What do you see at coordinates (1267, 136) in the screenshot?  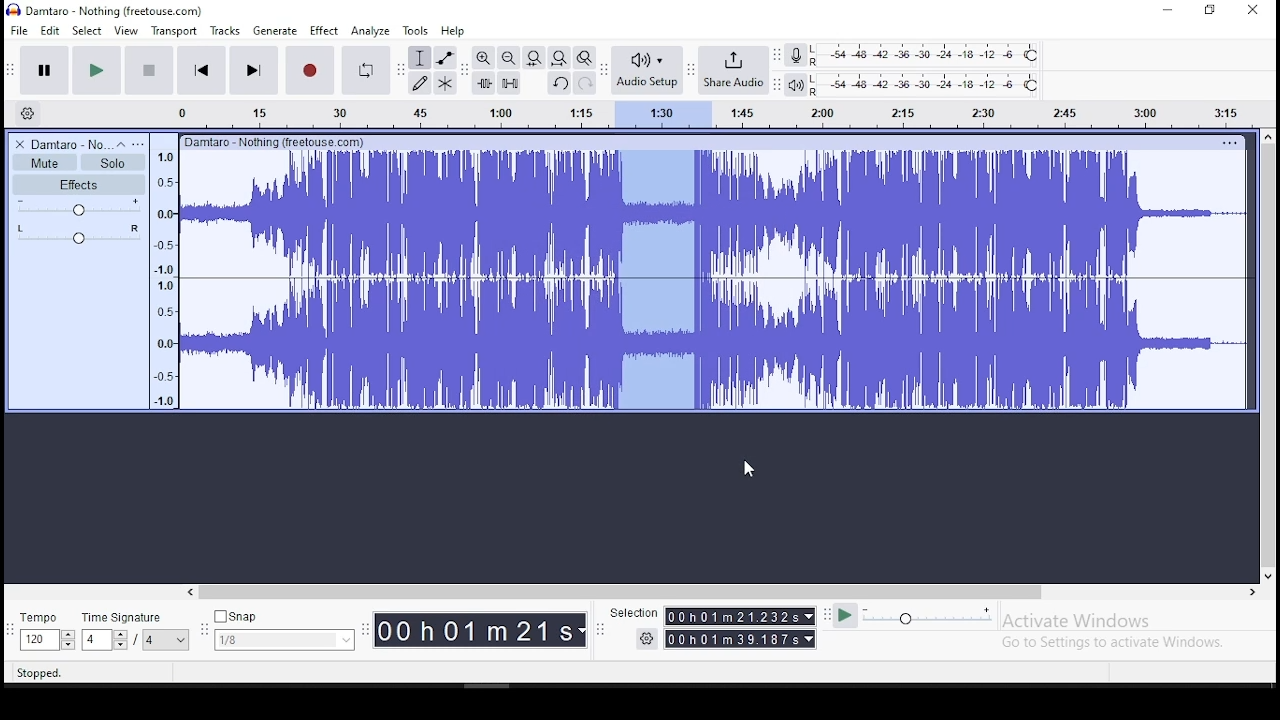 I see `up` at bounding box center [1267, 136].